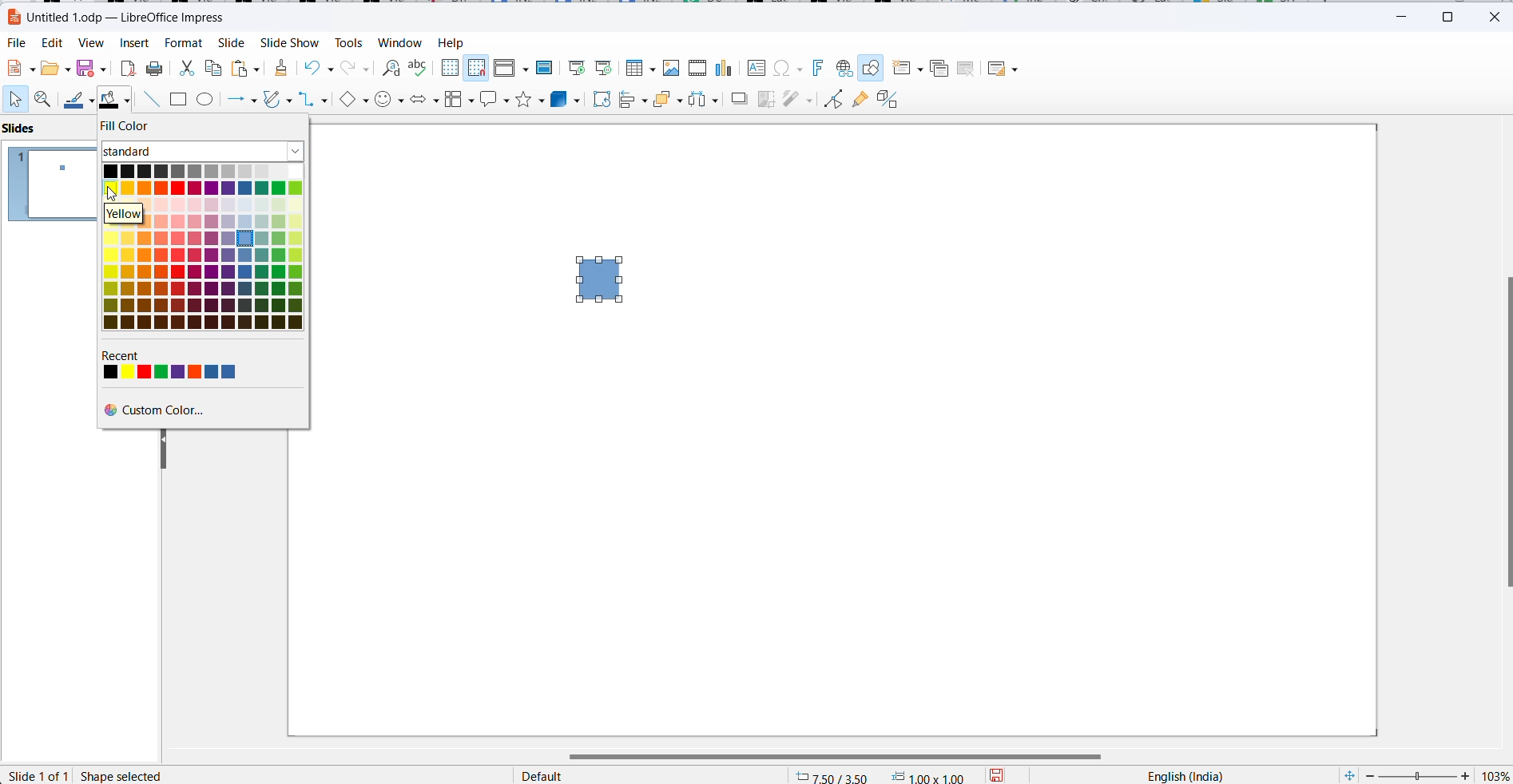  I want to click on line, so click(78, 102).